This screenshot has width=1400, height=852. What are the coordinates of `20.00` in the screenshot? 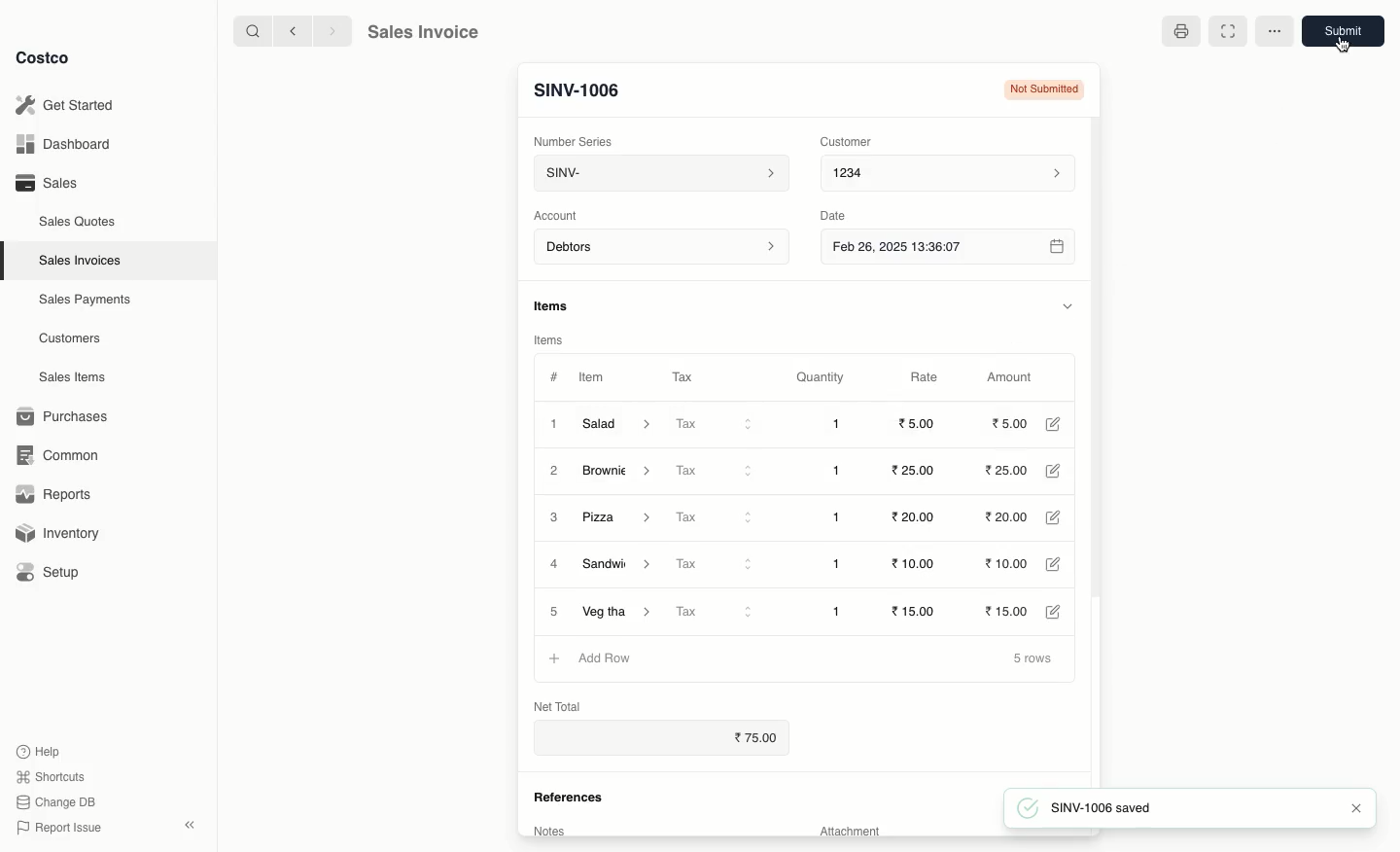 It's located at (911, 516).